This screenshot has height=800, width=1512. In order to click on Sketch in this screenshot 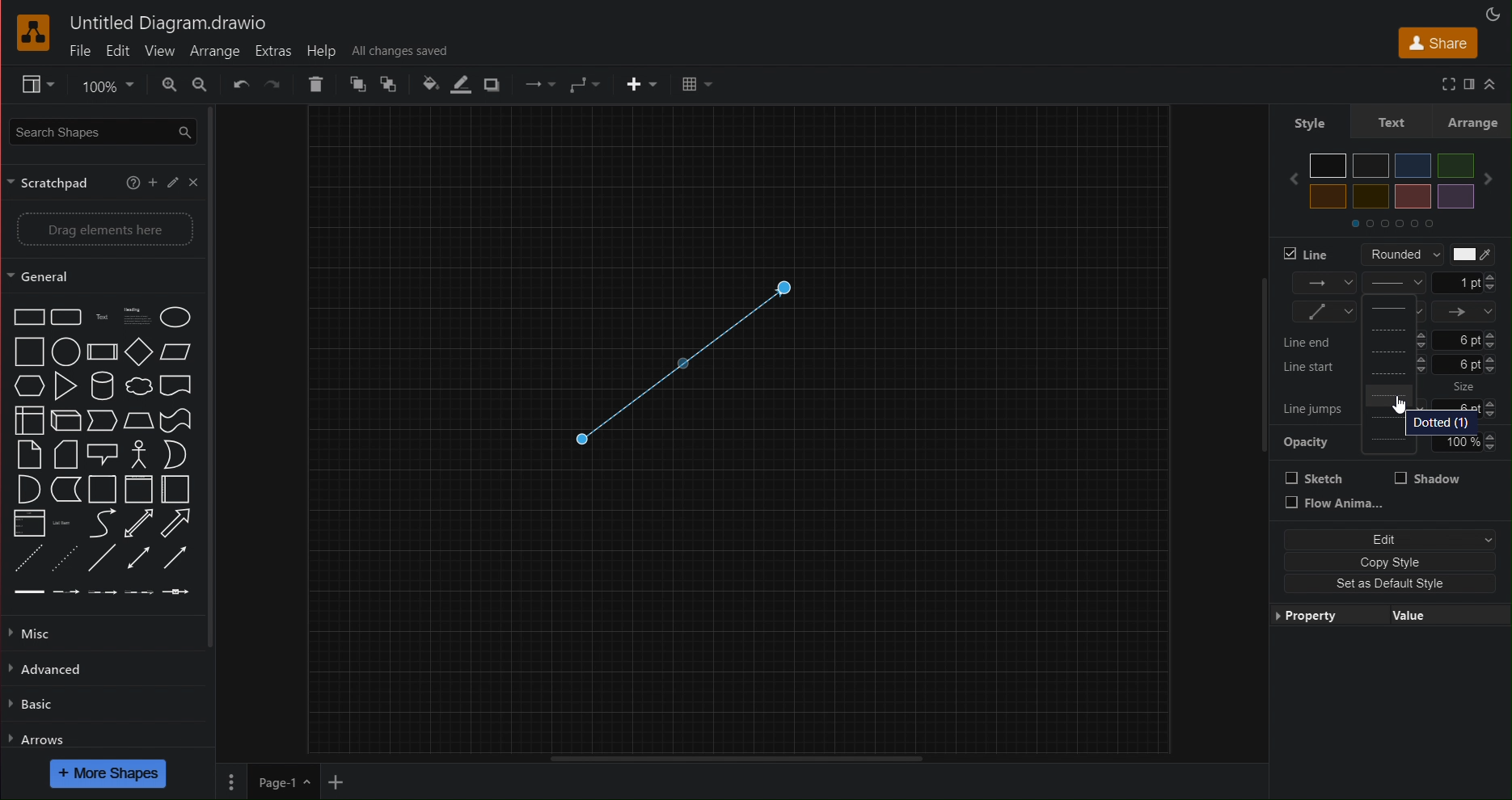, I will do `click(1316, 478)`.